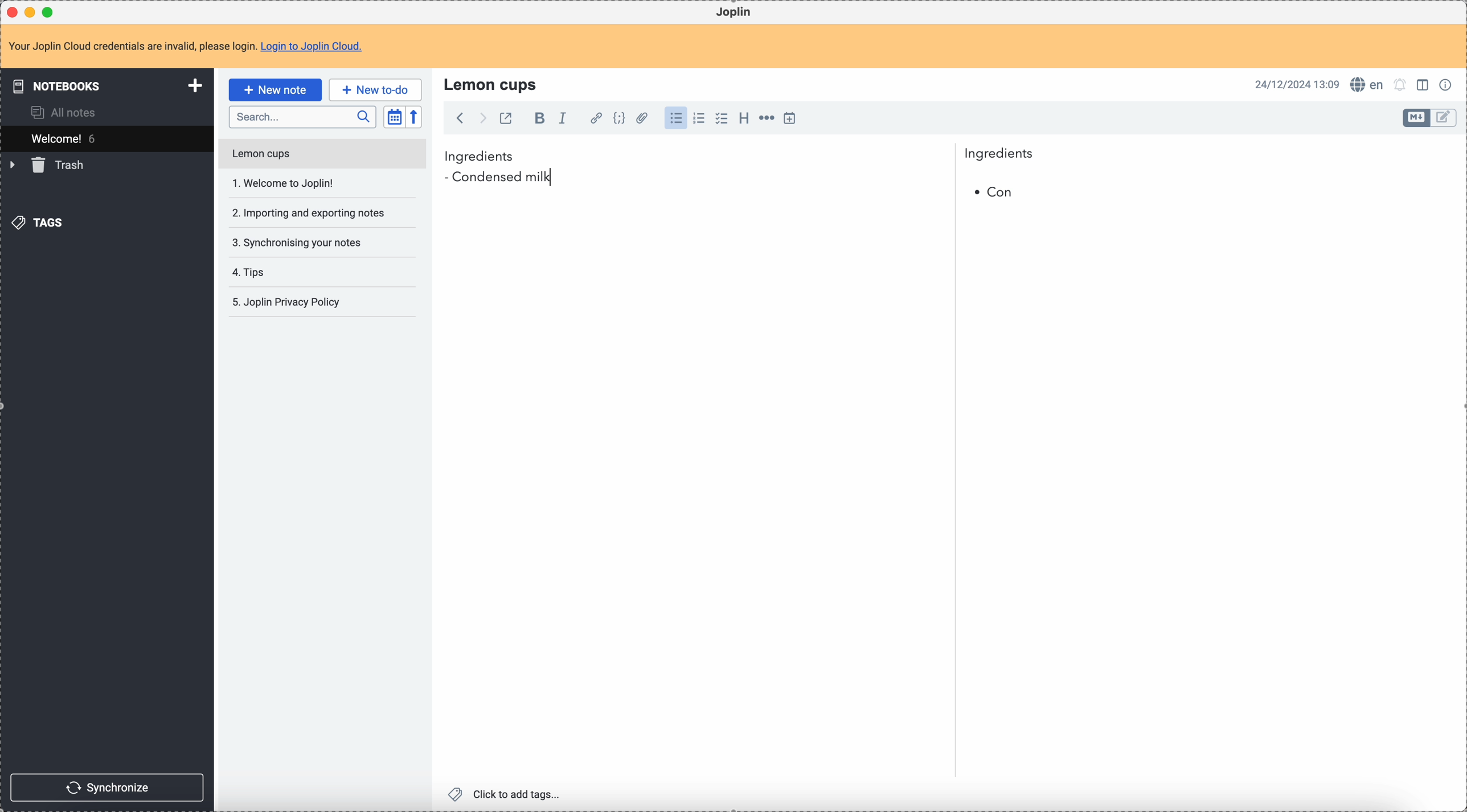 The width and height of the screenshot is (1467, 812). What do you see at coordinates (416, 117) in the screenshot?
I see `reverse sort order` at bounding box center [416, 117].